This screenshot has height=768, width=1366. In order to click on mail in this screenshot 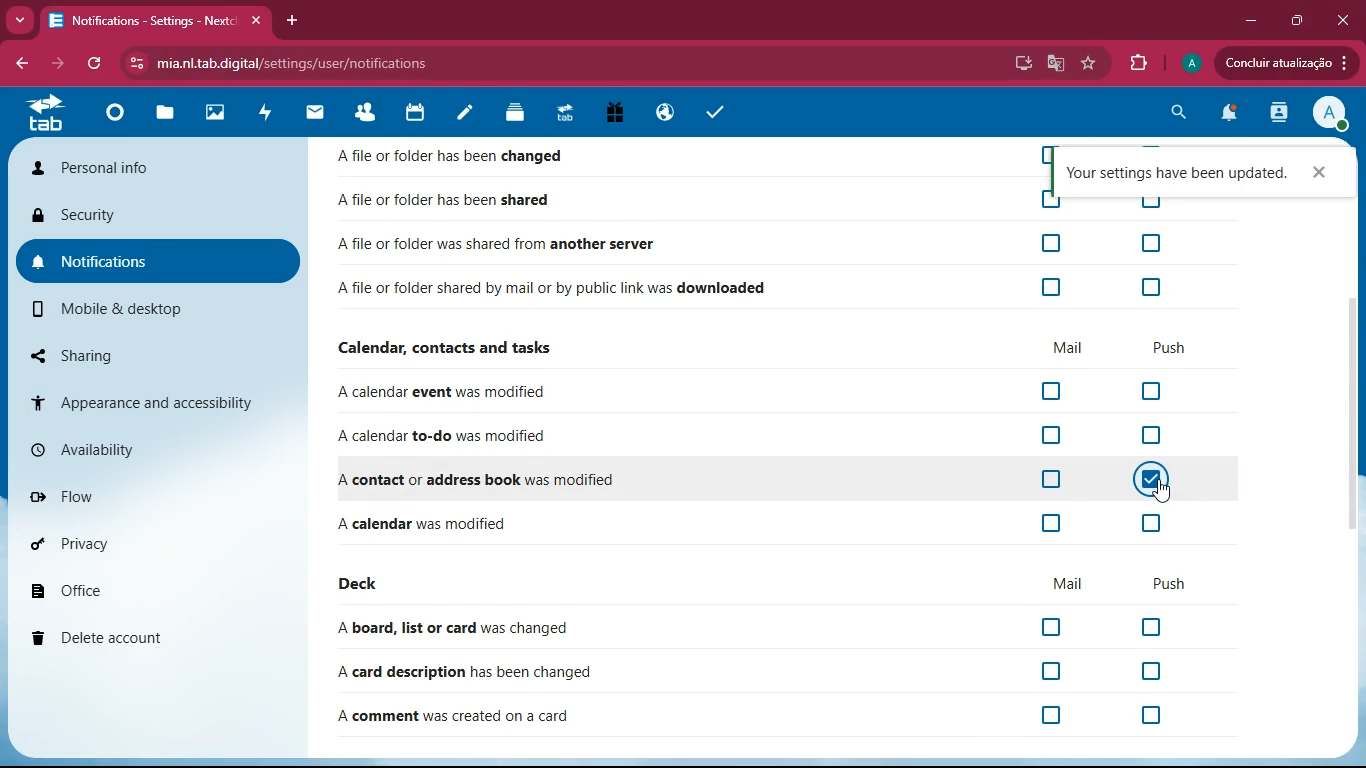, I will do `click(1071, 580)`.